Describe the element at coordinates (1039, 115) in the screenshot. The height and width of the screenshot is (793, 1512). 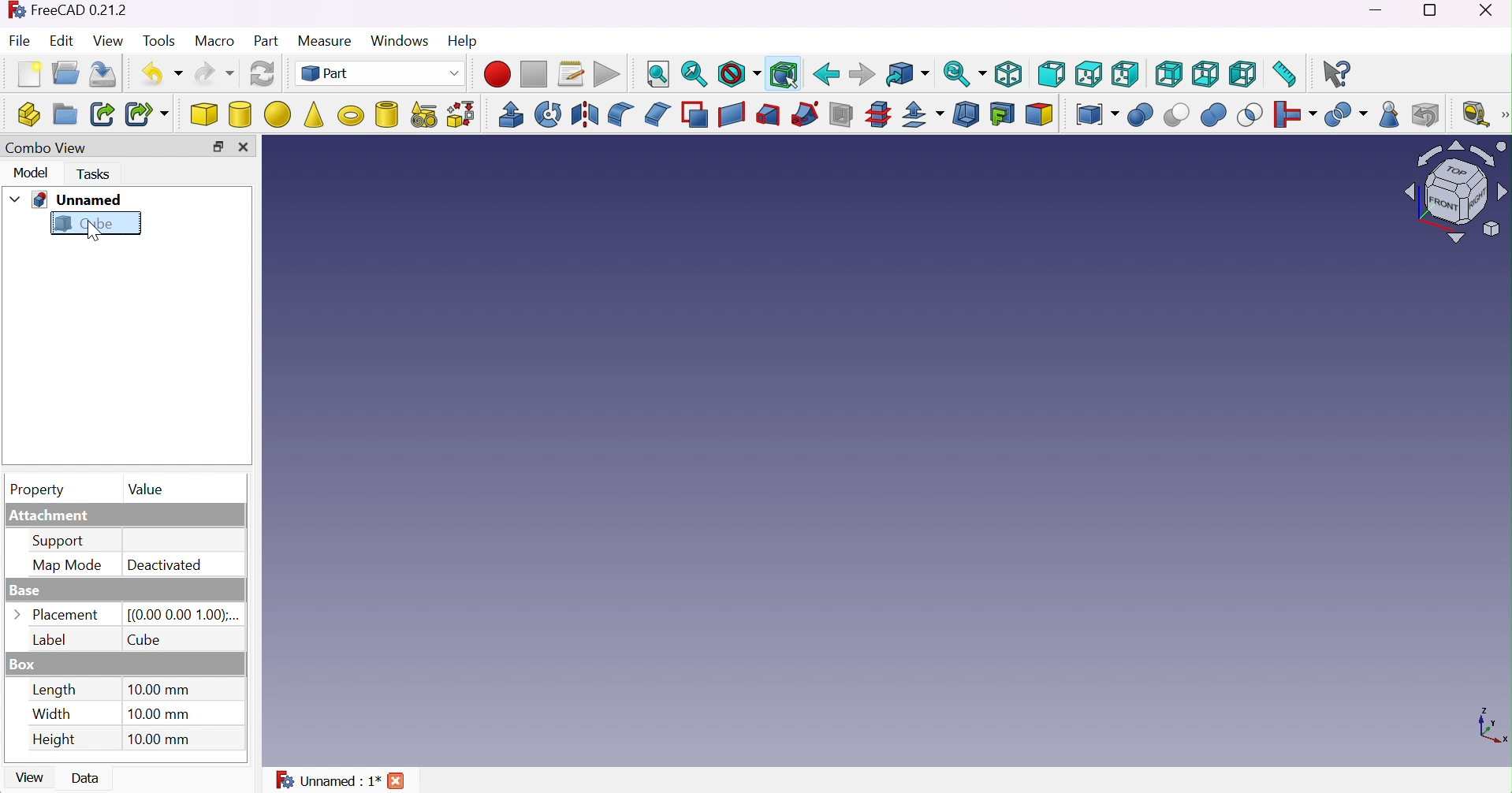
I see `Color per face` at that location.